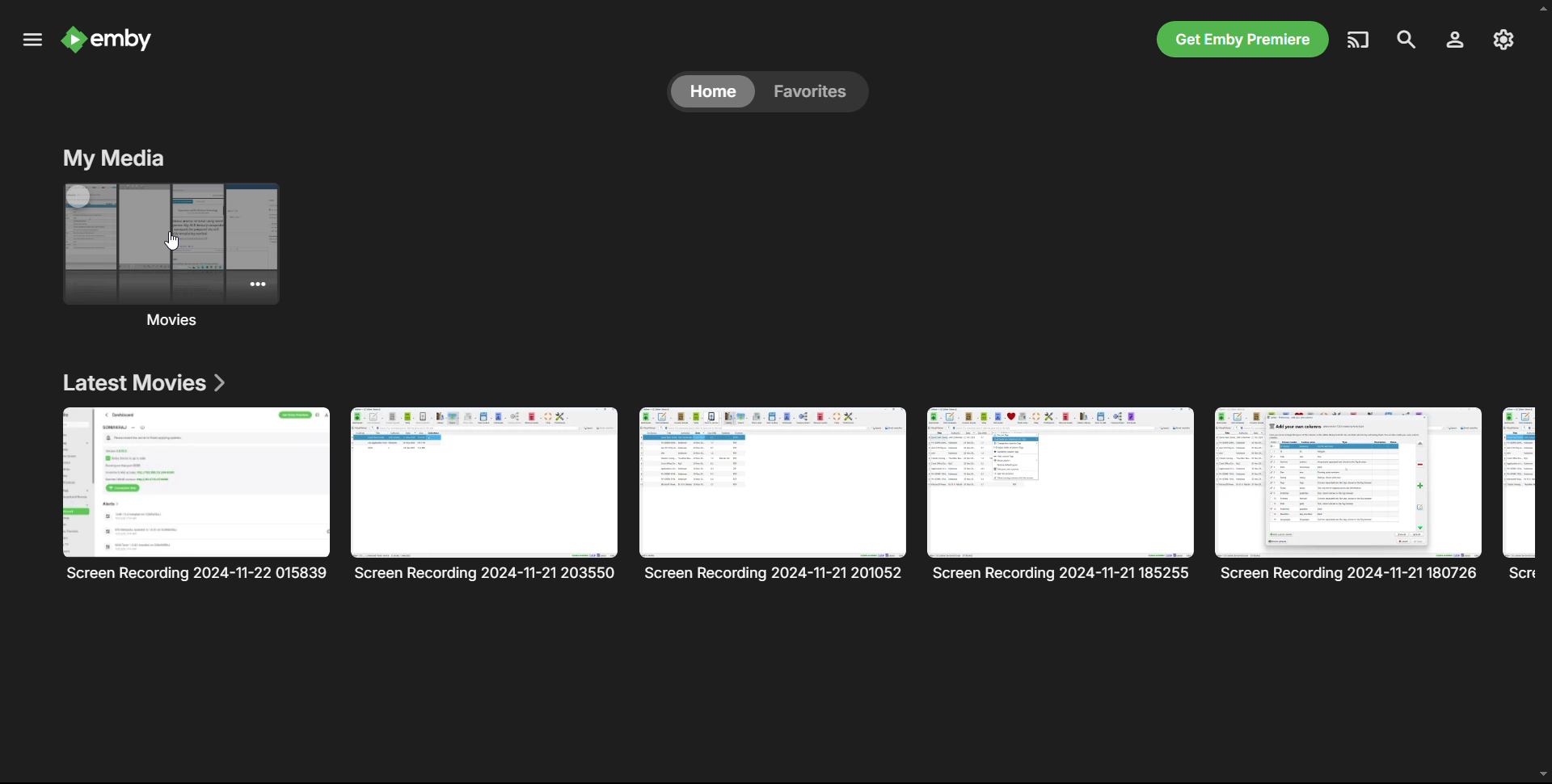  Describe the element at coordinates (169, 257) in the screenshot. I see `movies ` at that location.